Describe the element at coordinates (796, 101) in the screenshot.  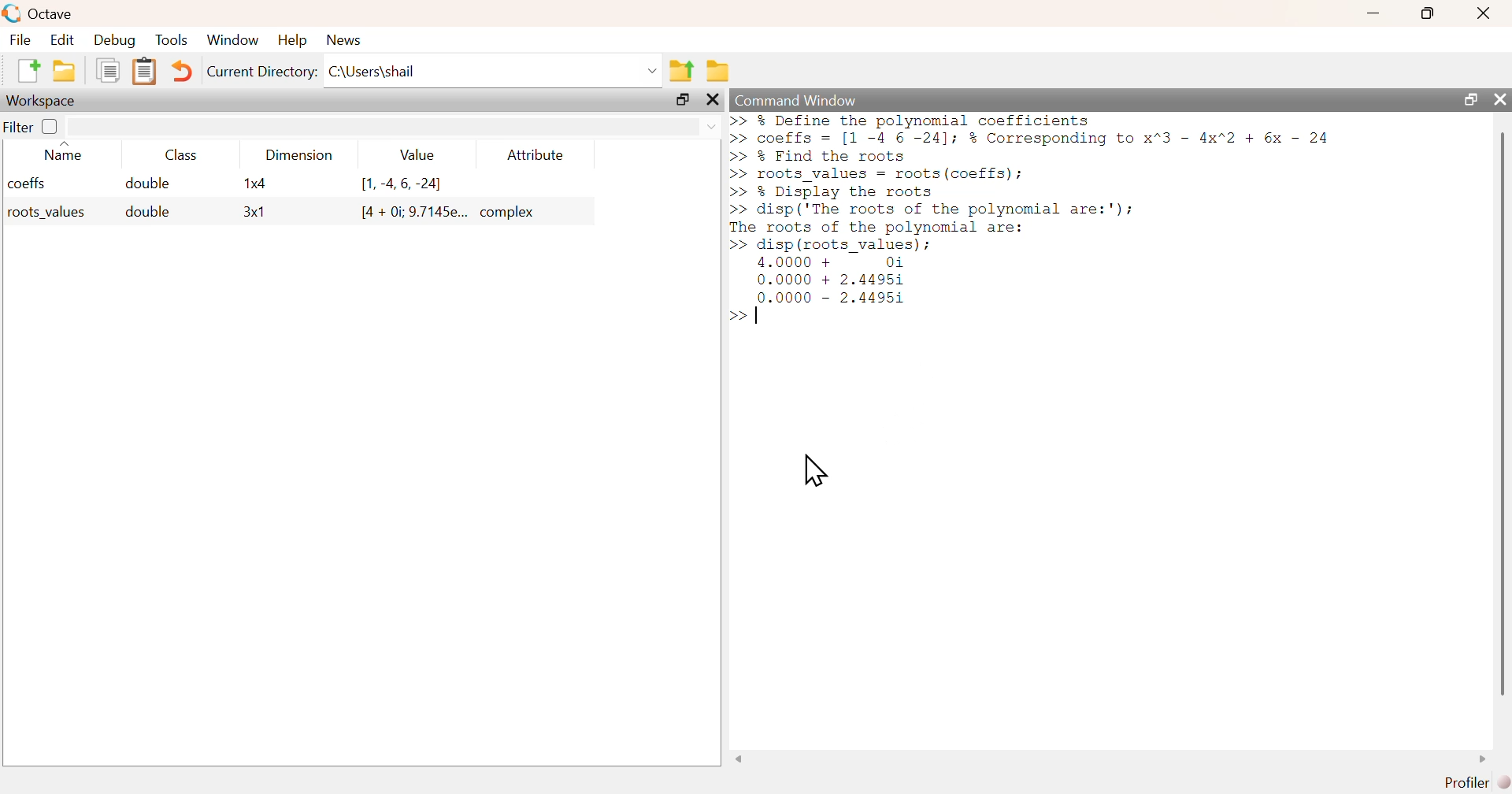
I see `Command Window` at that location.